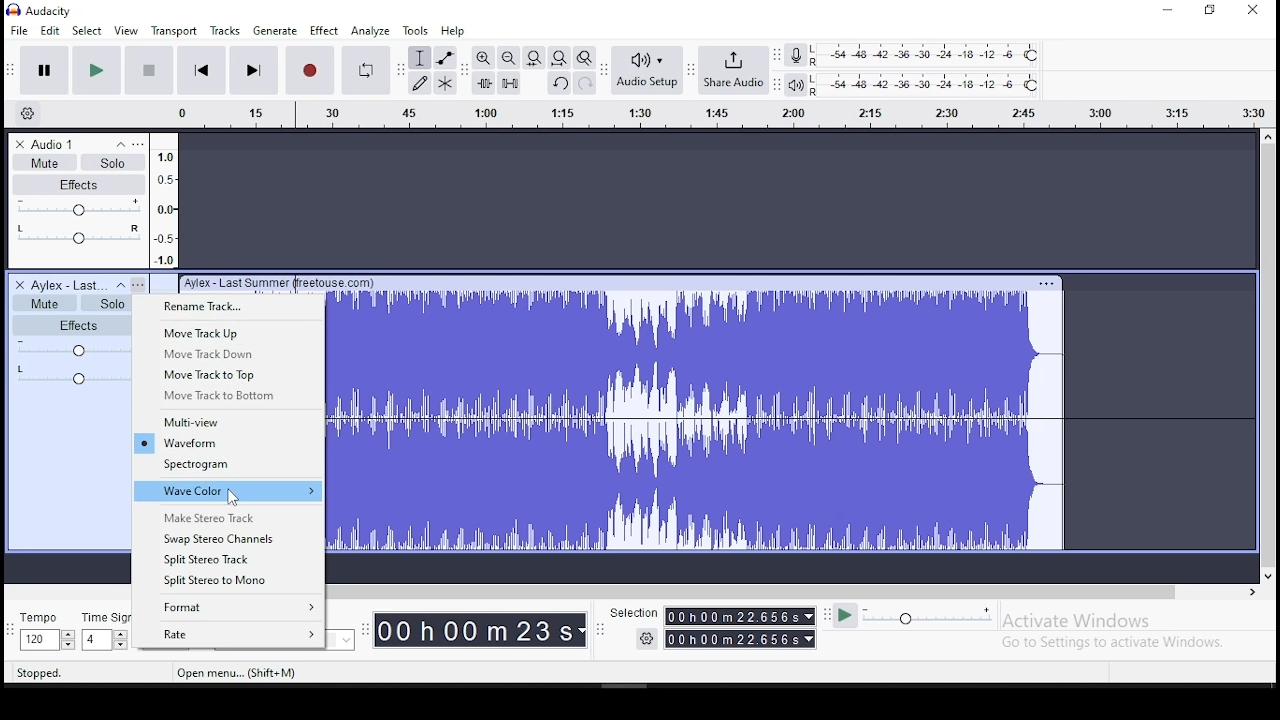  Describe the element at coordinates (127, 31) in the screenshot. I see `view` at that location.